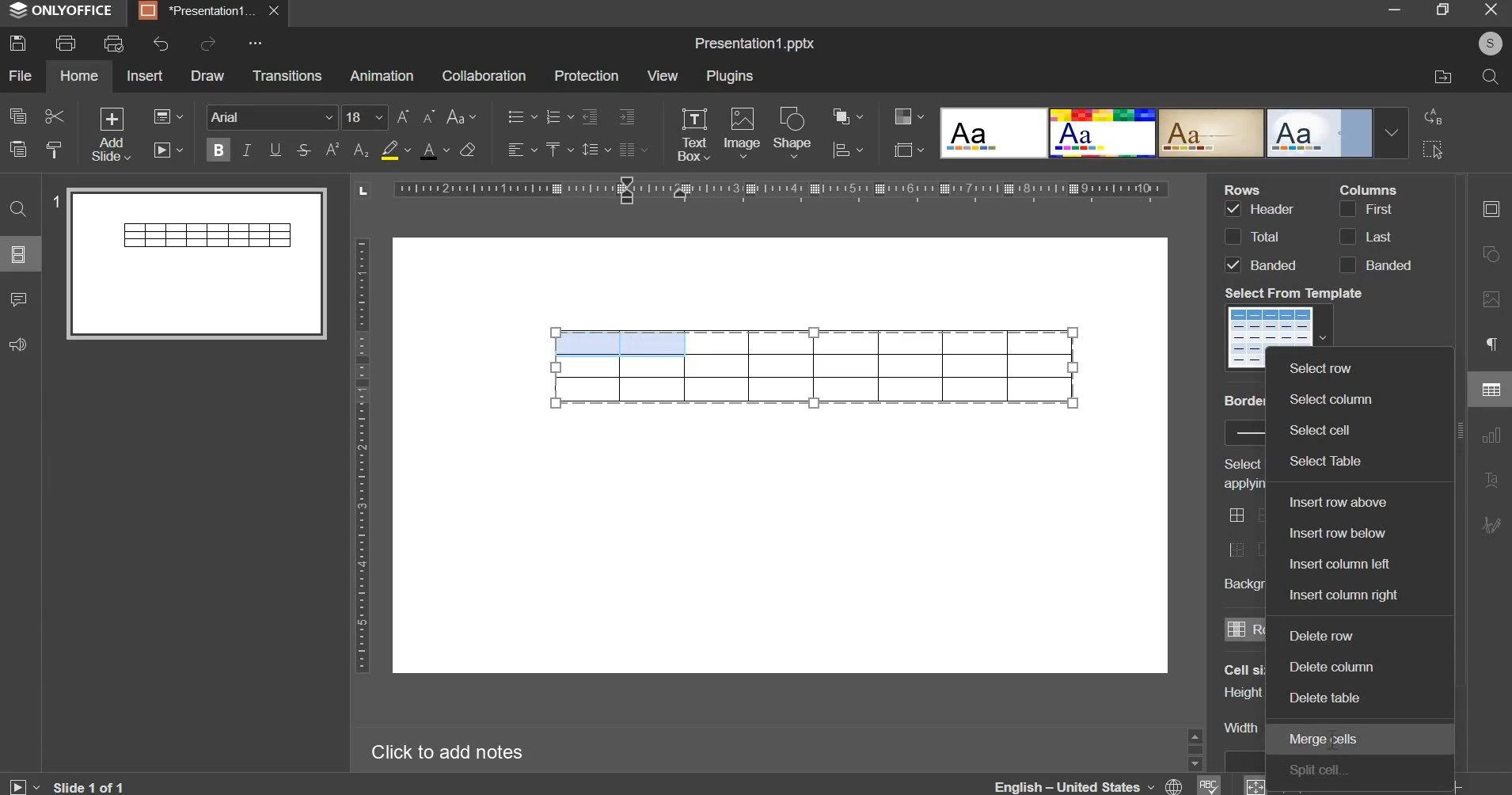 The width and height of the screenshot is (1512, 795). Describe the element at coordinates (595, 150) in the screenshot. I see `line spacing` at that location.